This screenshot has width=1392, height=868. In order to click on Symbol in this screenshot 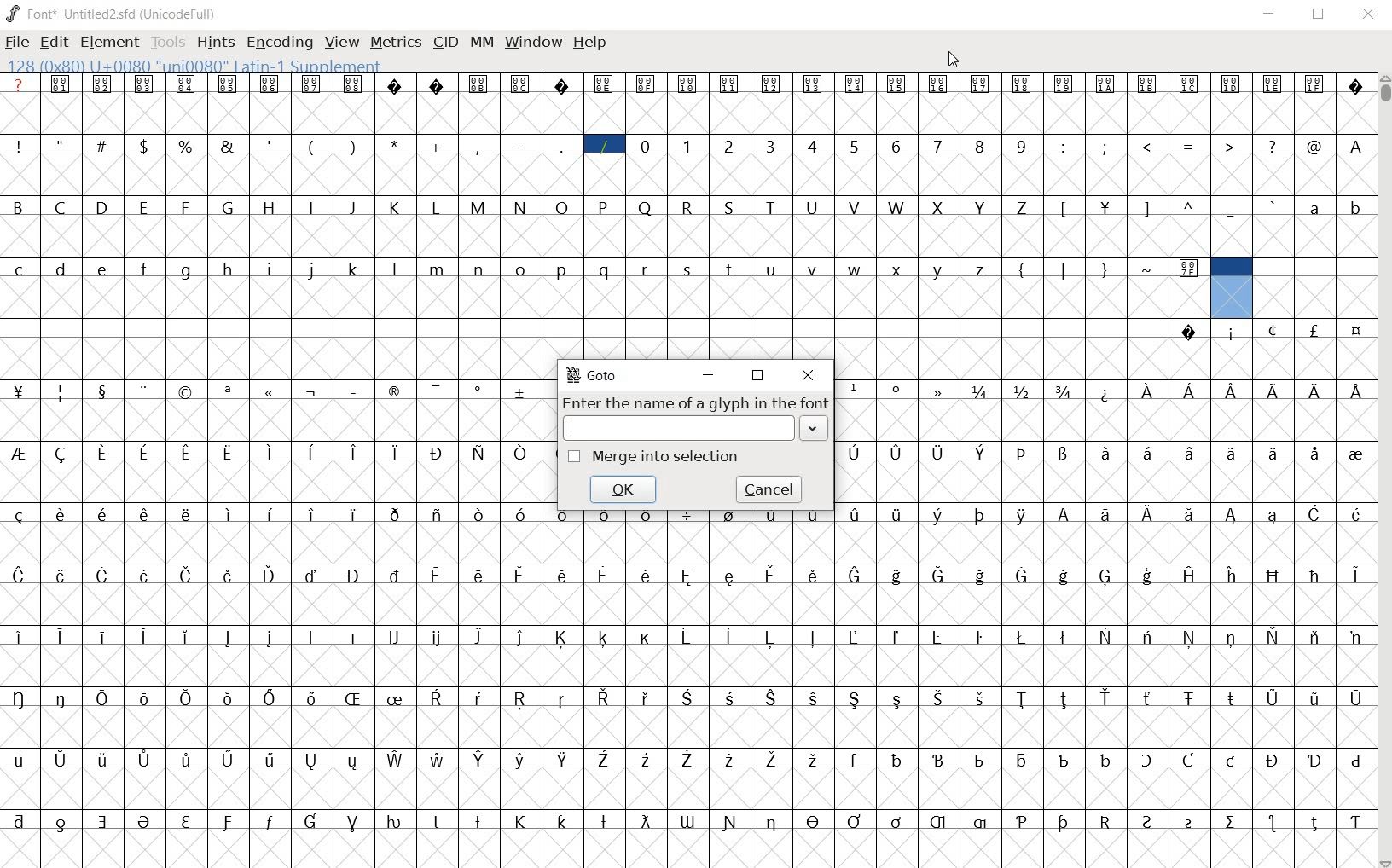, I will do `click(856, 757)`.